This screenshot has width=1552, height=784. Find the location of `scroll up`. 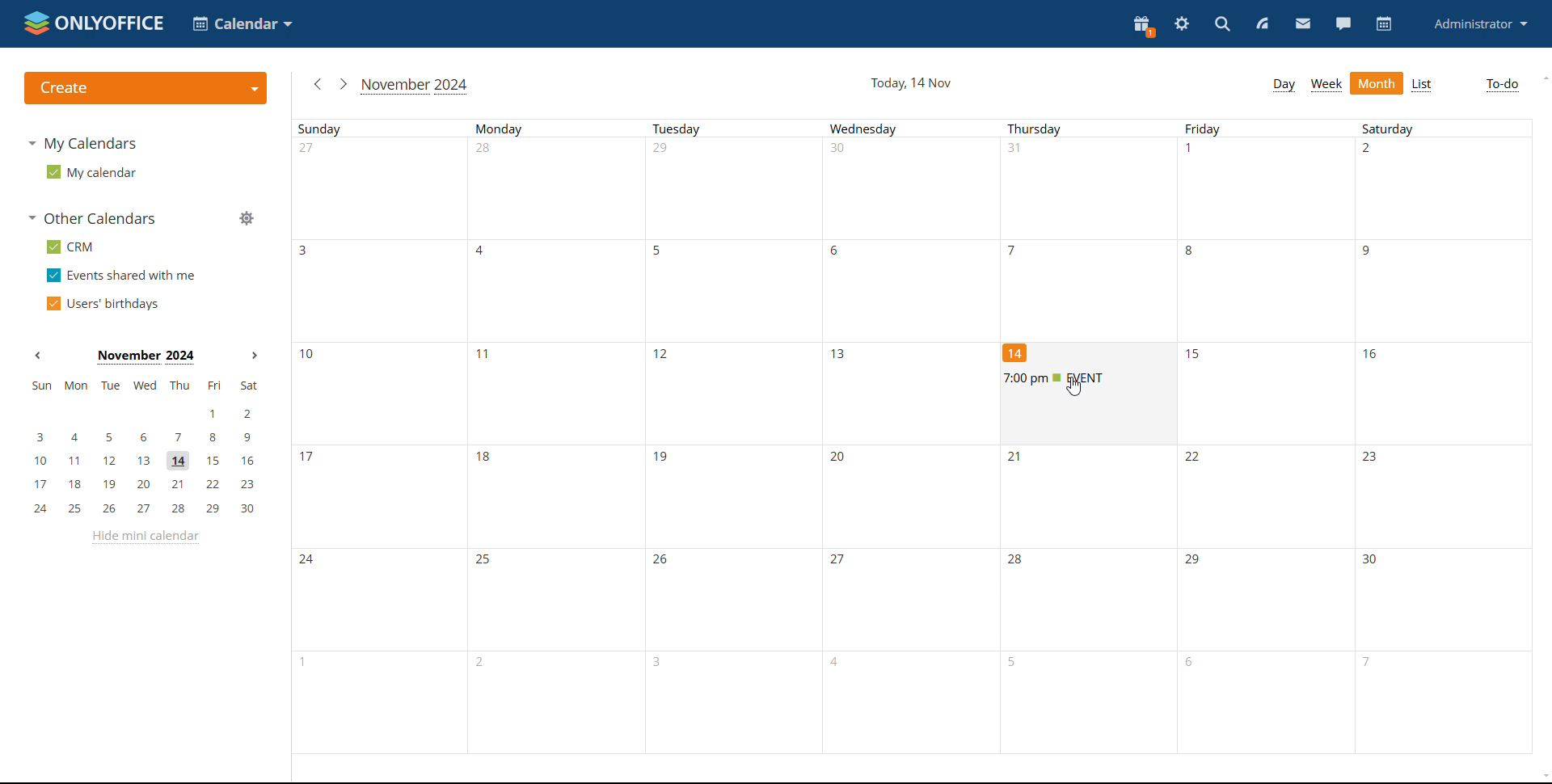

scroll up is located at coordinates (1542, 78).